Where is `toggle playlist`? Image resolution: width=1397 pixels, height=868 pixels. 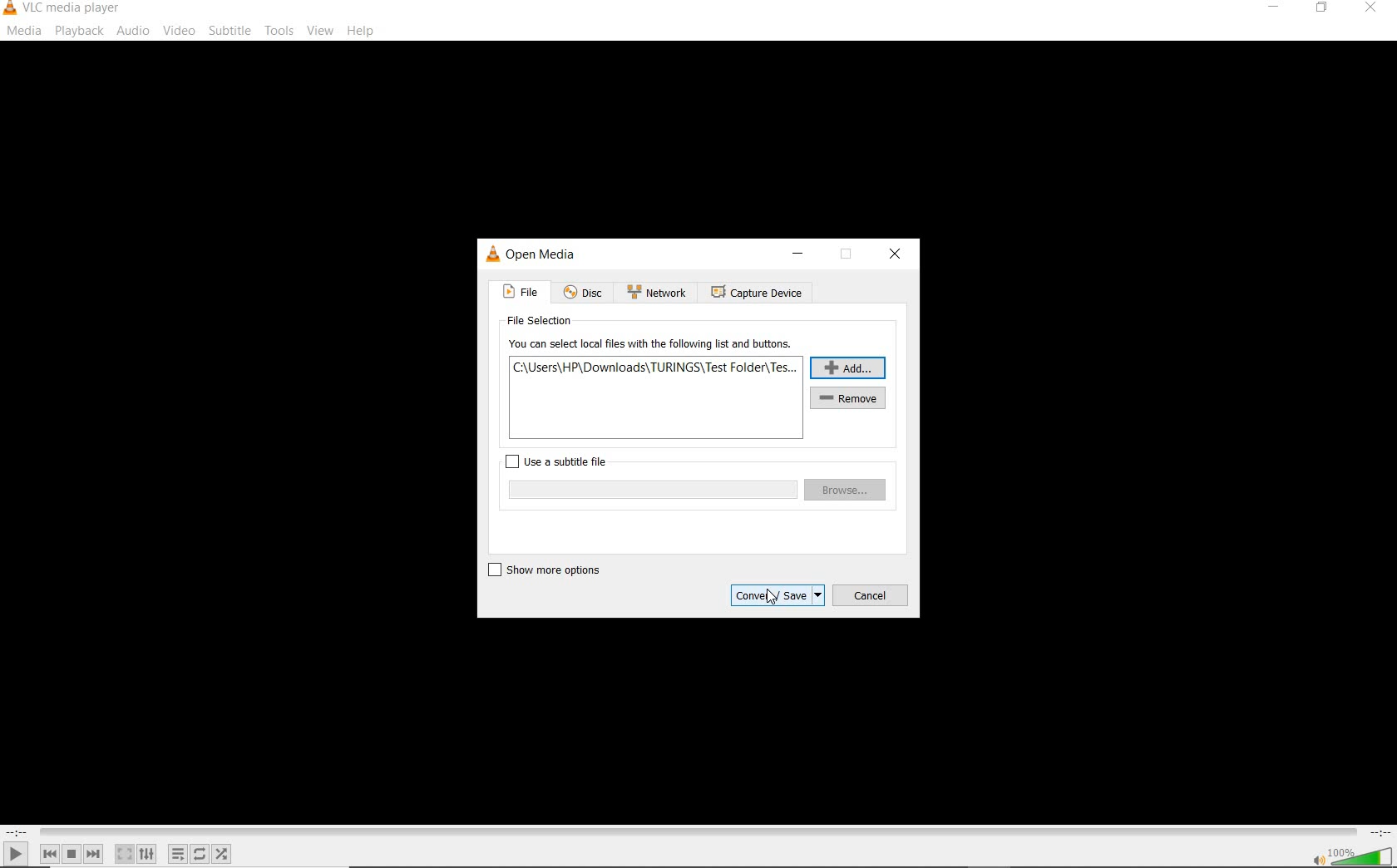 toggle playlist is located at coordinates (178, 854).